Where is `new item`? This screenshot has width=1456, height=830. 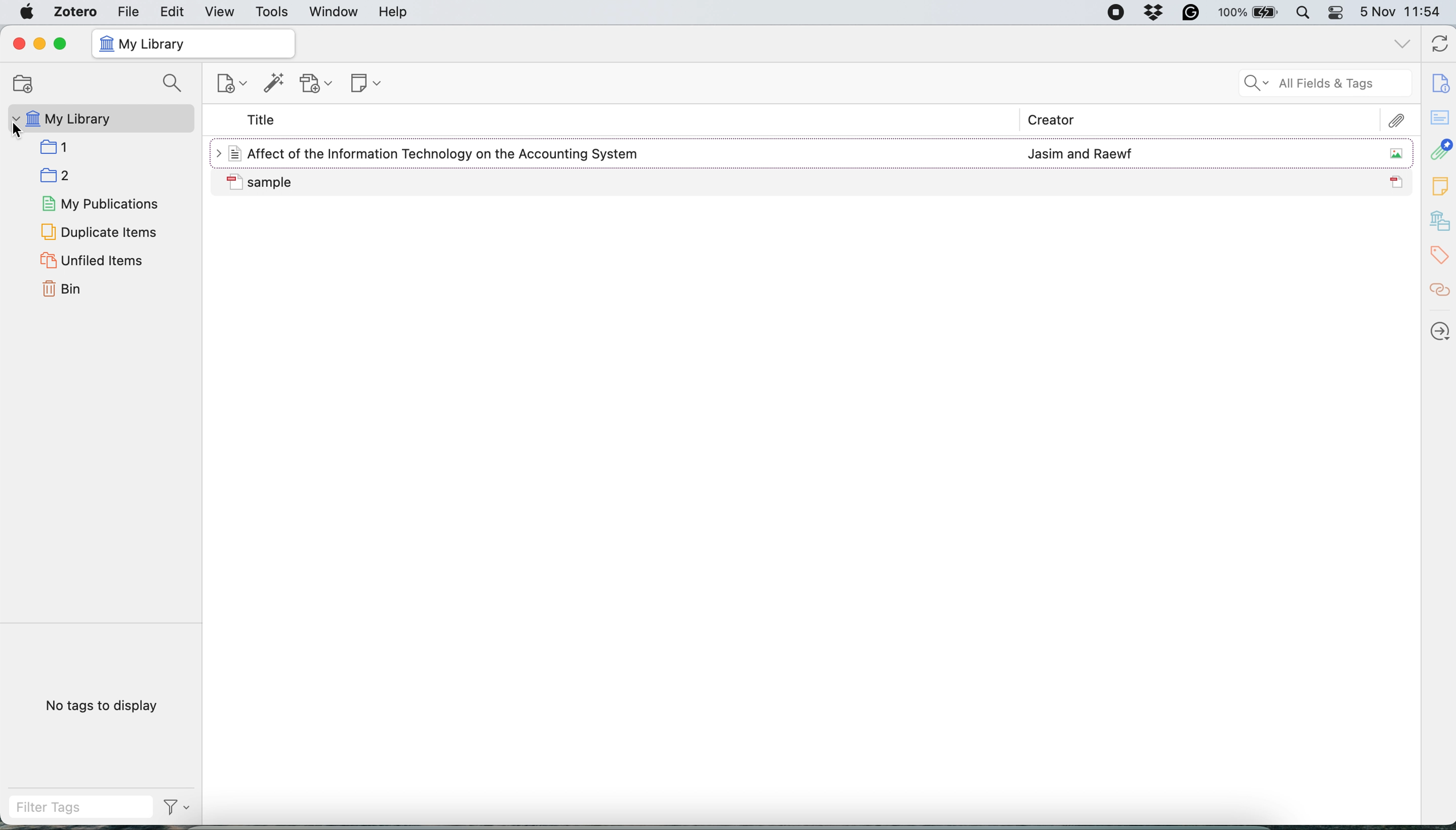 new item is located at coordinates (231, 80).